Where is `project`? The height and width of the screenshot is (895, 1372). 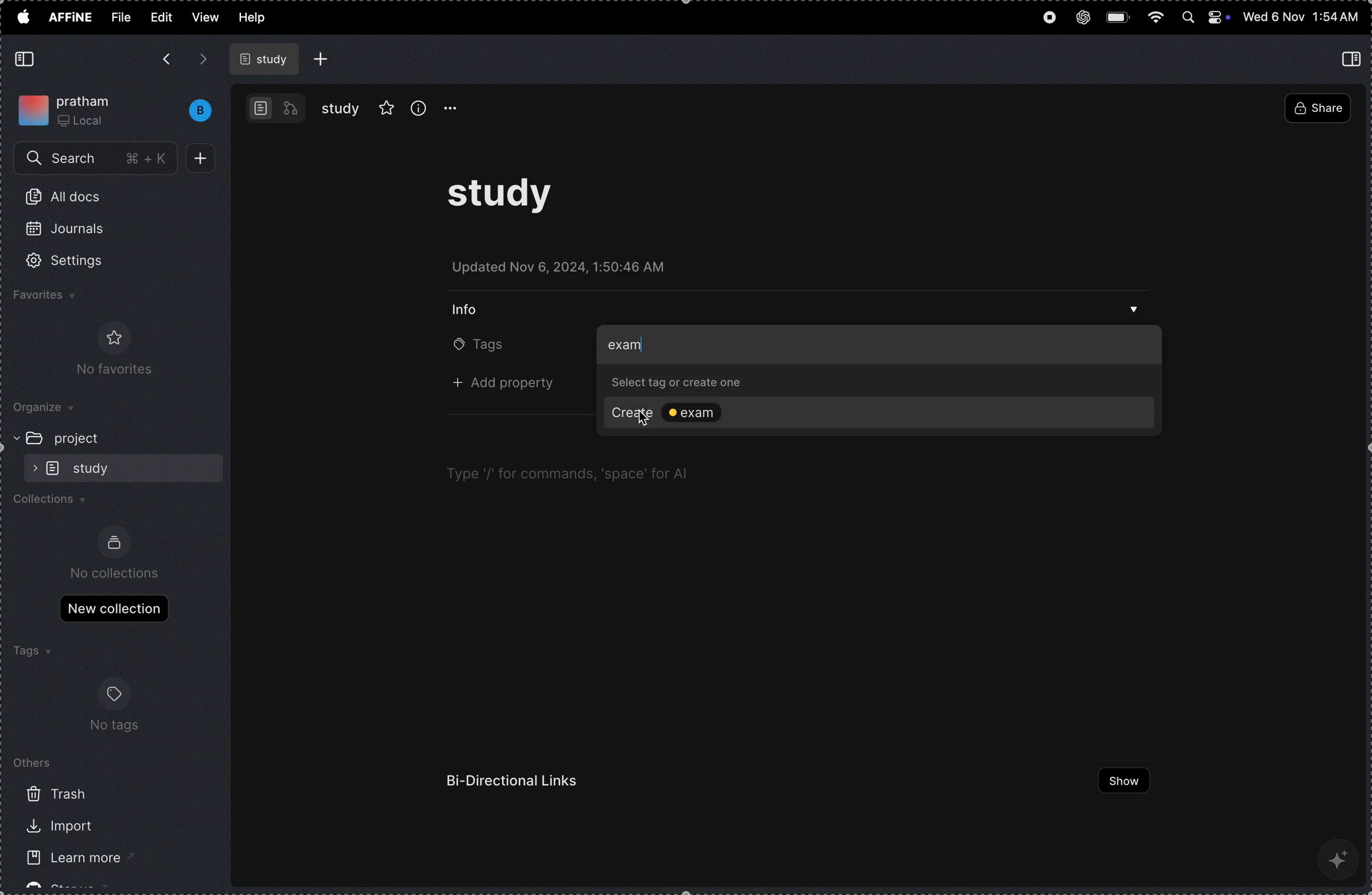 project is located at coordinates (84, 438).